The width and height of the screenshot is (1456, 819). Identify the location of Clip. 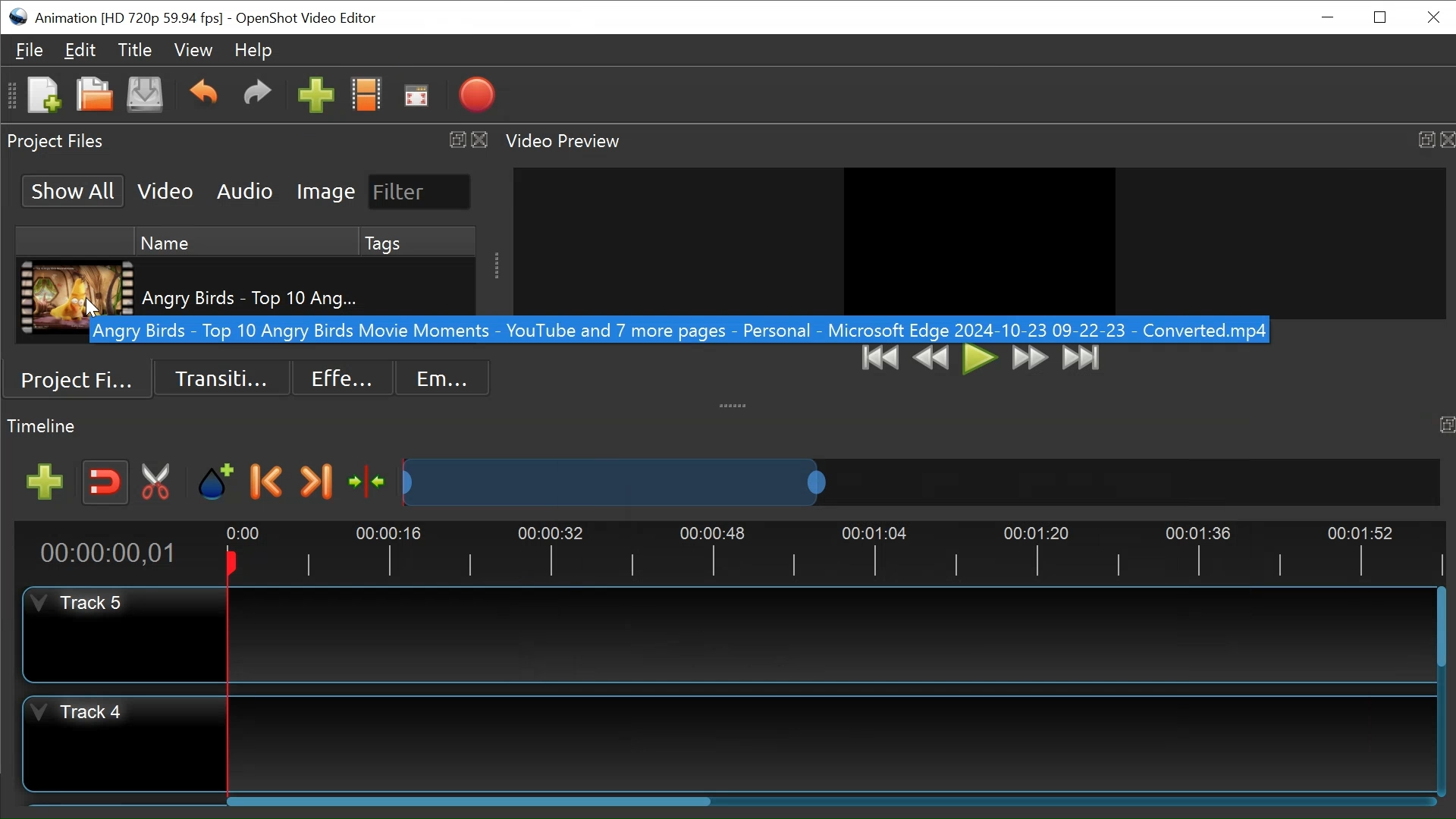
(77, 286).